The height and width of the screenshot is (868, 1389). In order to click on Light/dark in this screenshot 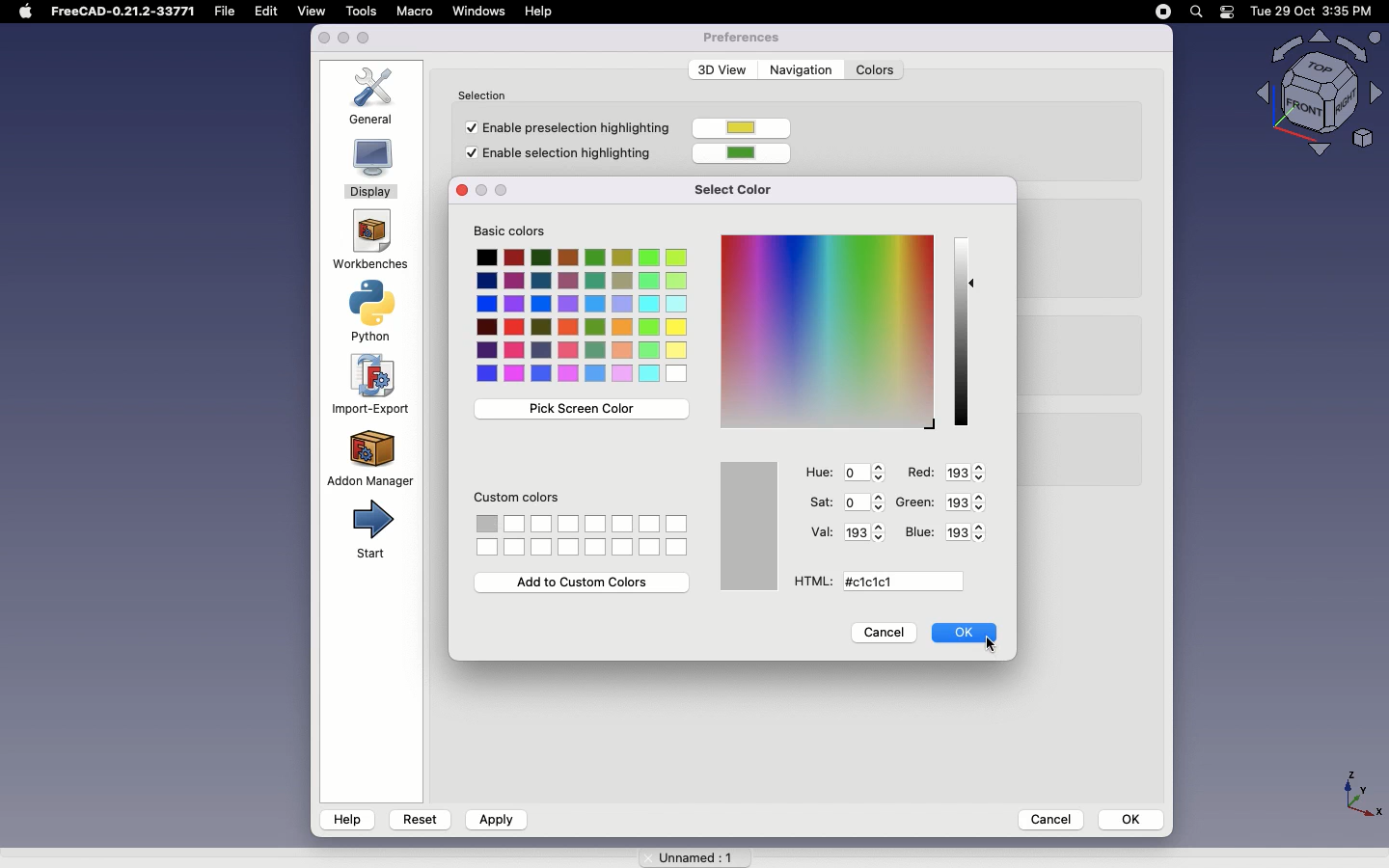, I will do `click(965, 331)`.